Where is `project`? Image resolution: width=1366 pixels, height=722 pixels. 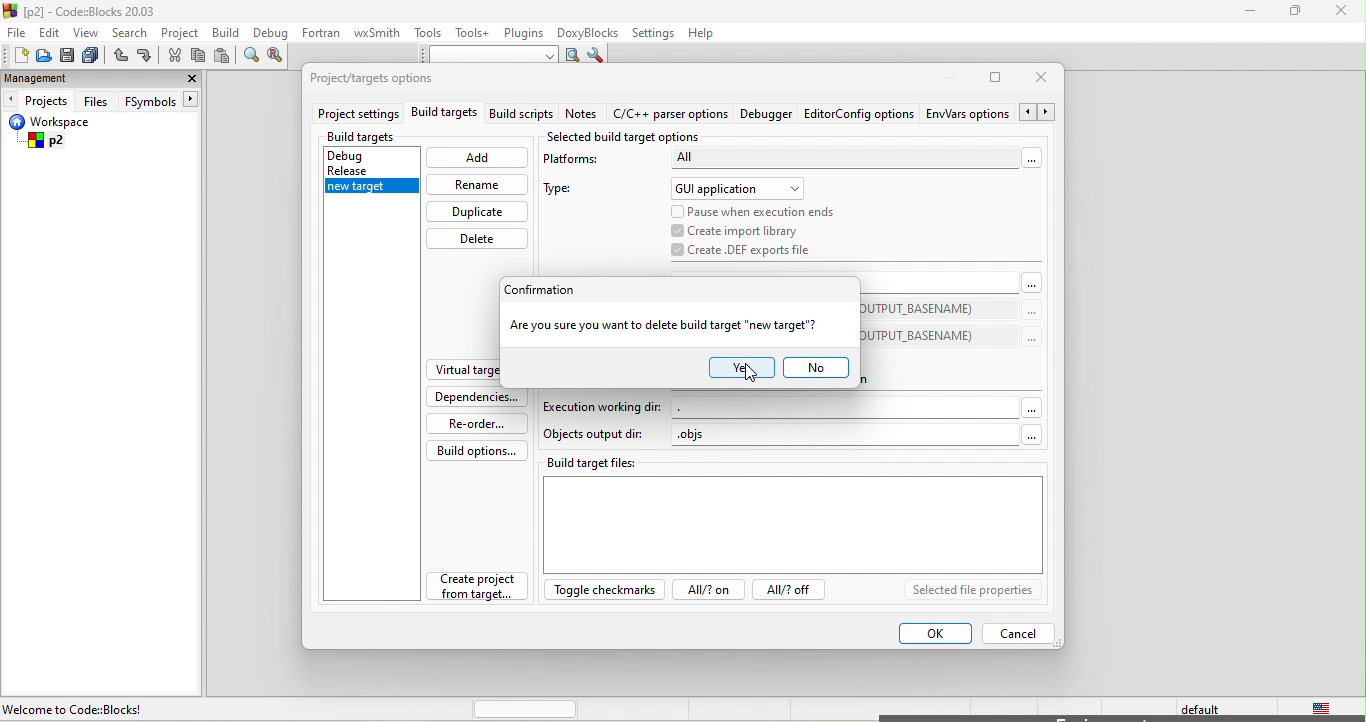 project is located at coordinates (184, 33).